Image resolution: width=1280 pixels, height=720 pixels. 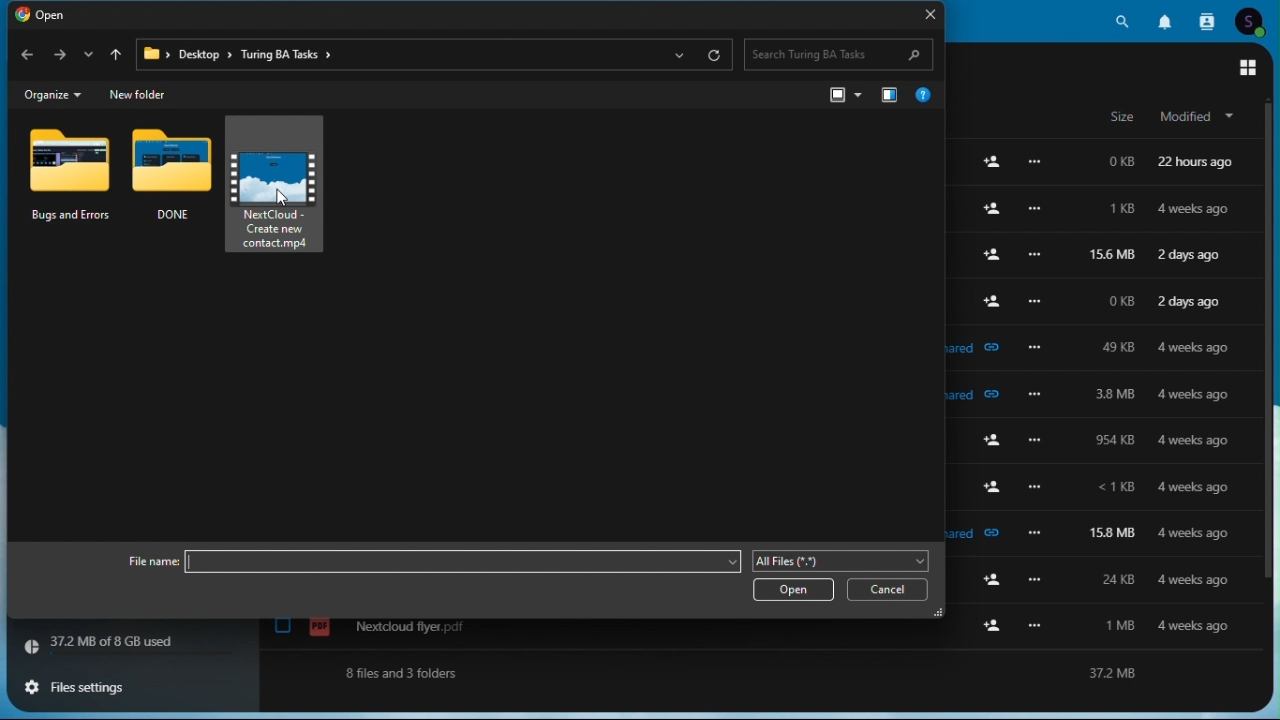 What do you see at coordinates (1250, 20) in the screenshot?
I see `Account icon` at bounding box center [1250, 20].